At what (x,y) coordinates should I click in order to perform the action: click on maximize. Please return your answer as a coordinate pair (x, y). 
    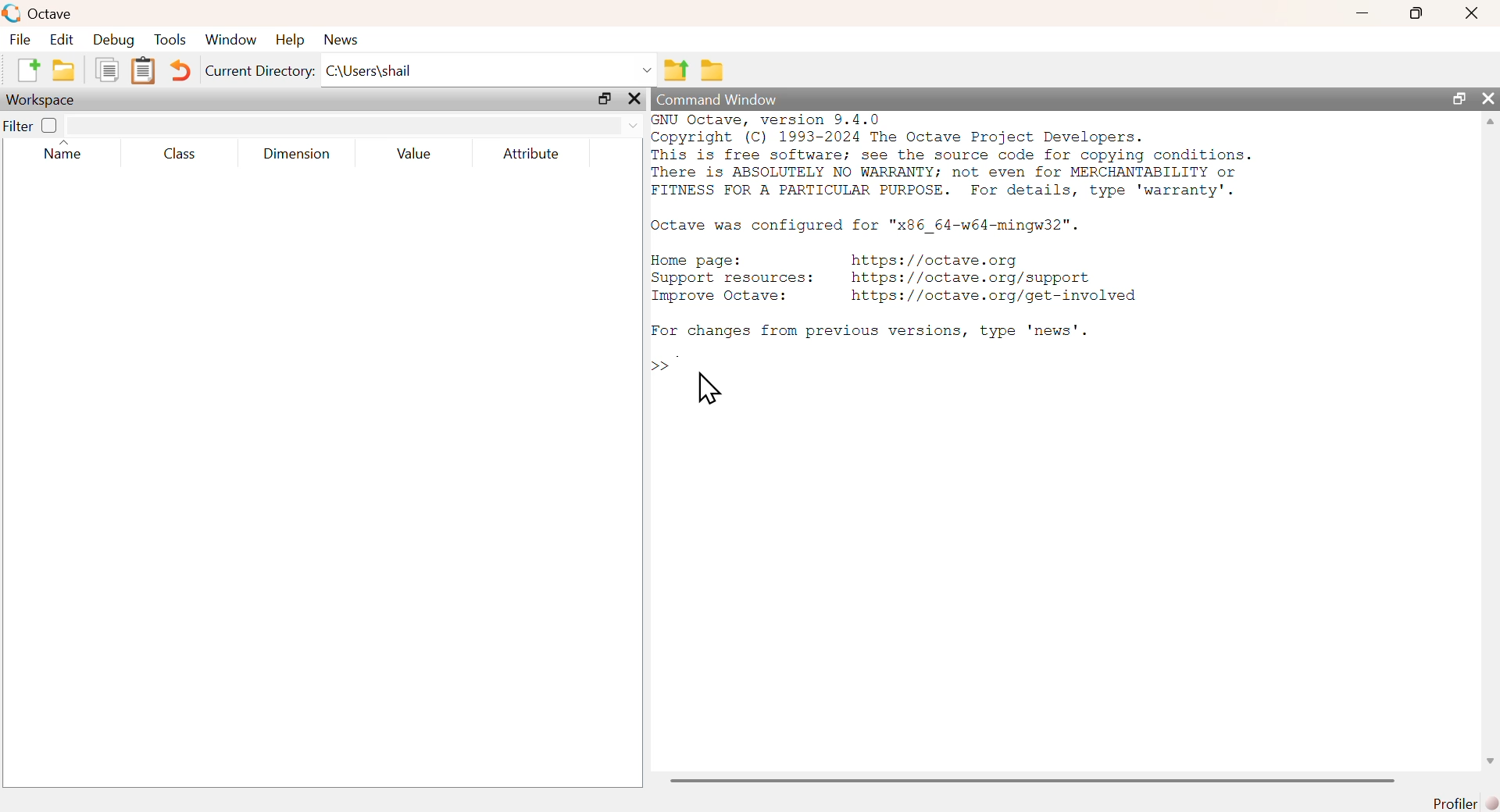
    Looking at the image, I should click on (1461, 99).